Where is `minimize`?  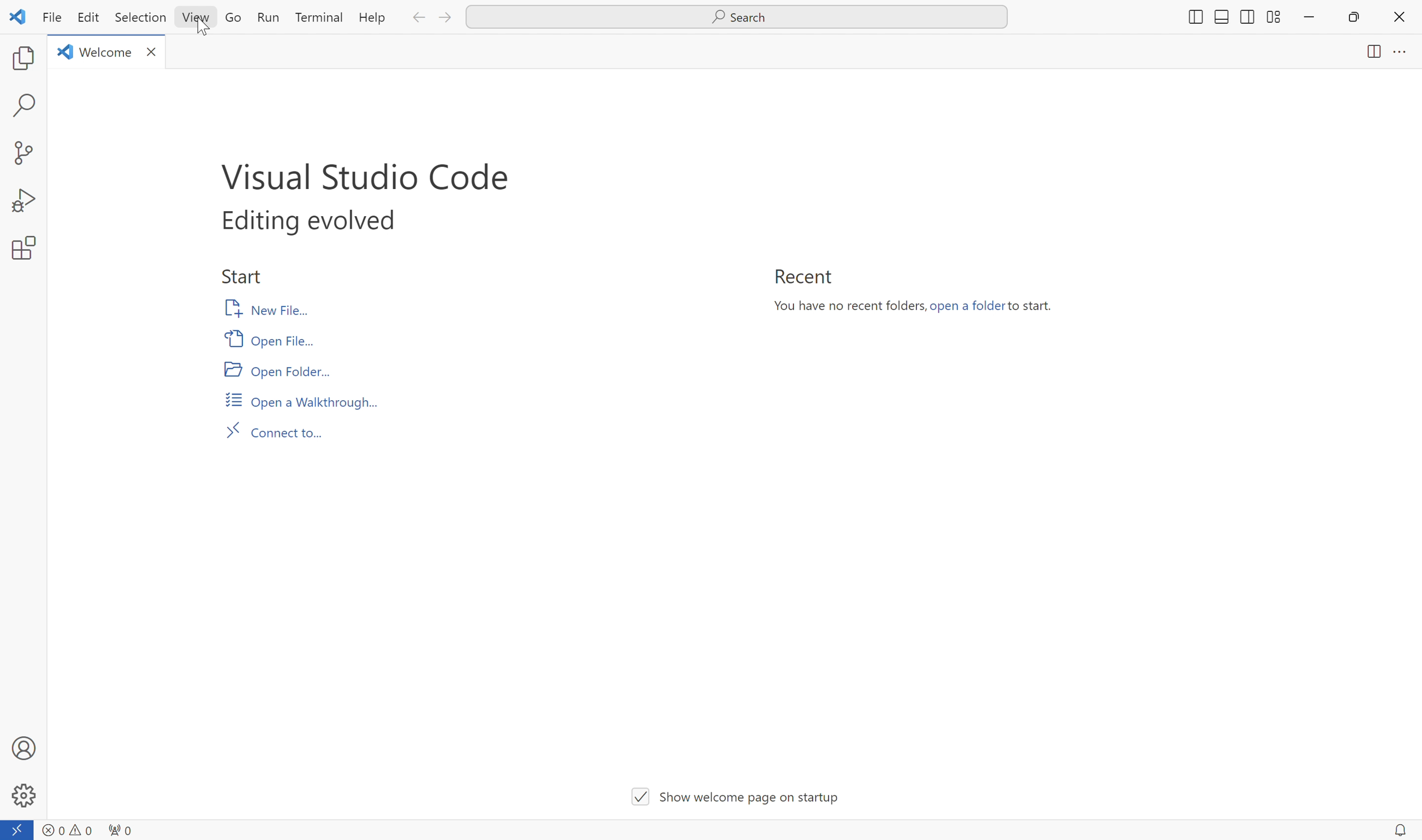
minimize is located at coordinates (1307, 19).